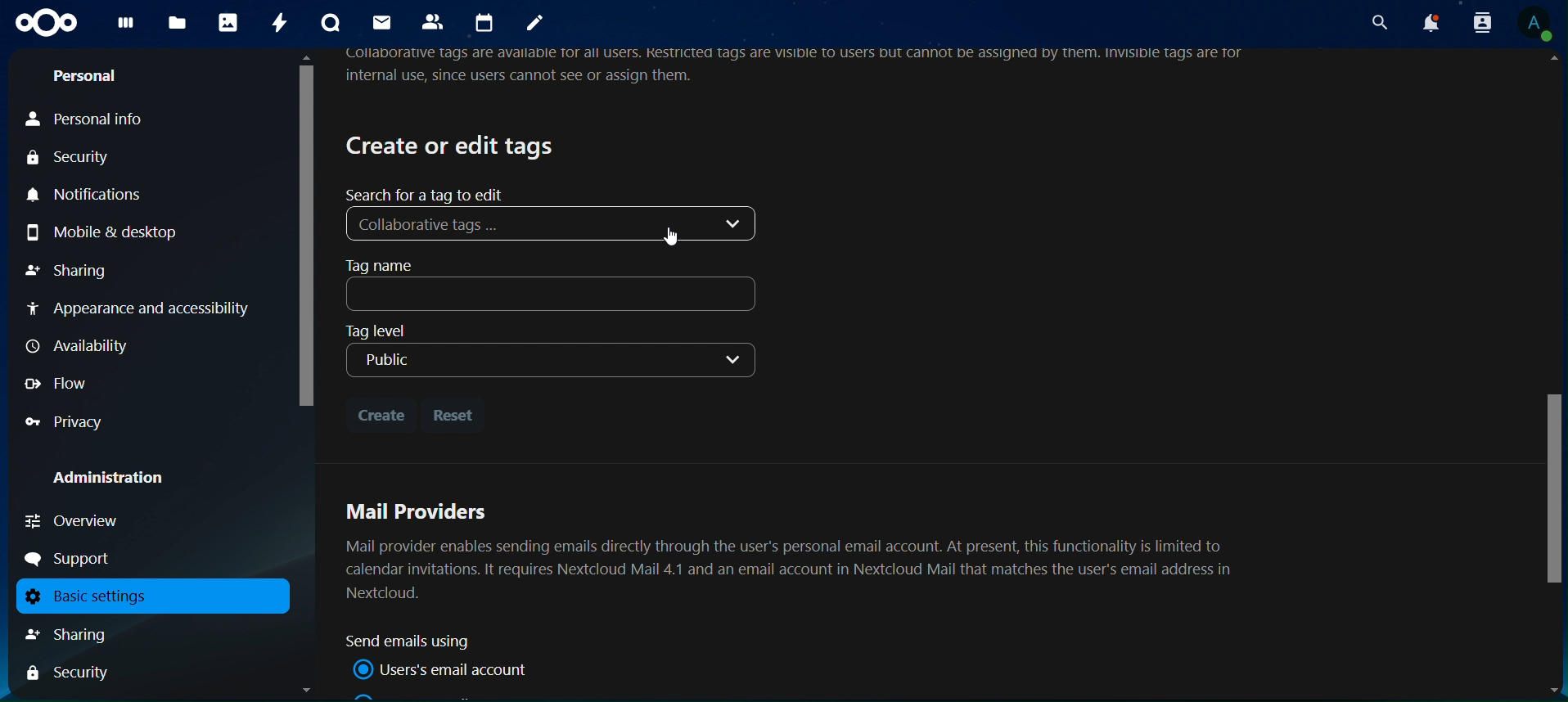 This screenshot has width=1568, height=702. What do you see at coordinates (675, 236) in the screenshot?
I see `Cursor` at bounding box center [675, 236].